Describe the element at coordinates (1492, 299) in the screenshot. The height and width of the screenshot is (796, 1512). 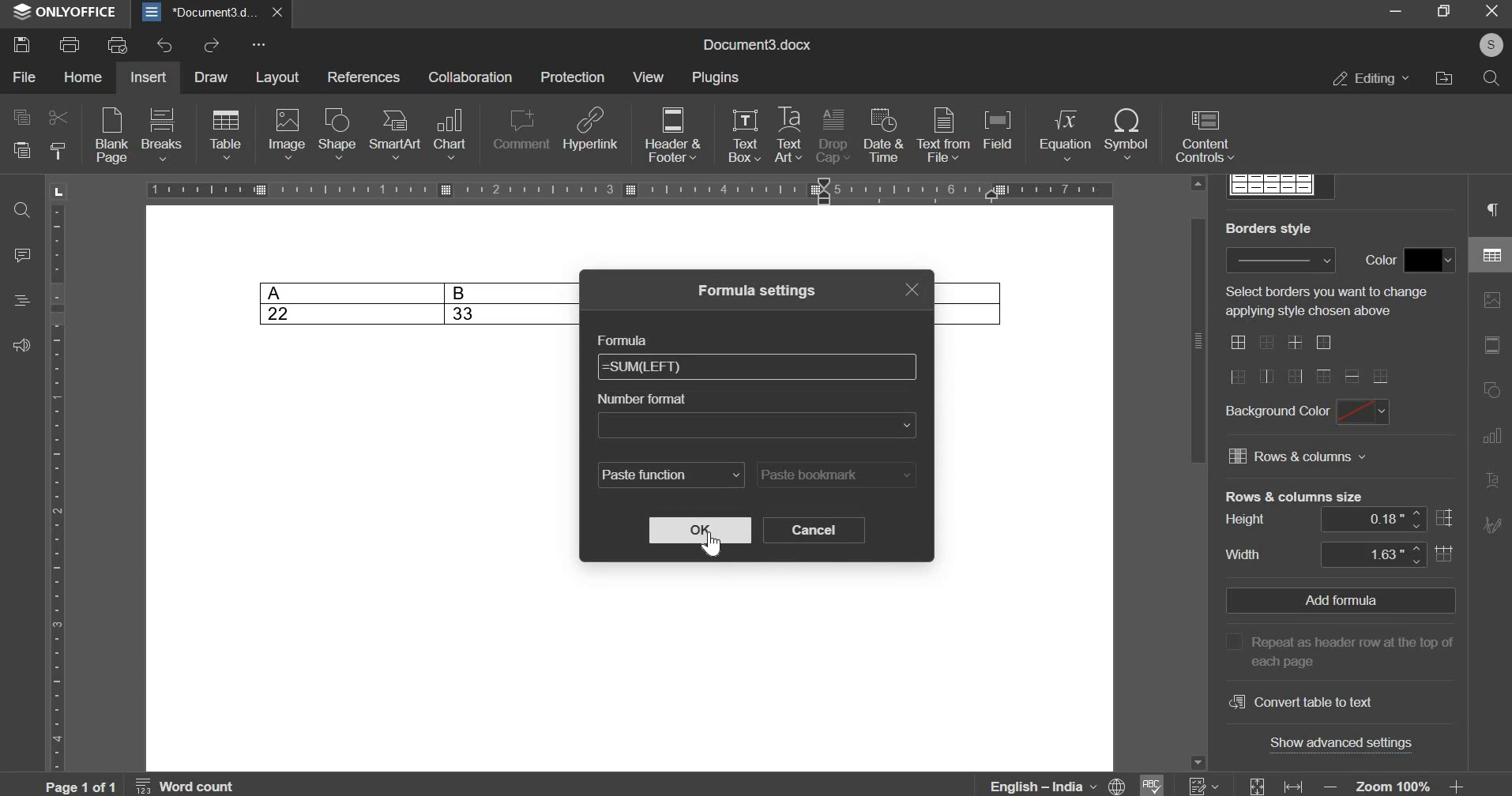
I see `image settings` at that location.